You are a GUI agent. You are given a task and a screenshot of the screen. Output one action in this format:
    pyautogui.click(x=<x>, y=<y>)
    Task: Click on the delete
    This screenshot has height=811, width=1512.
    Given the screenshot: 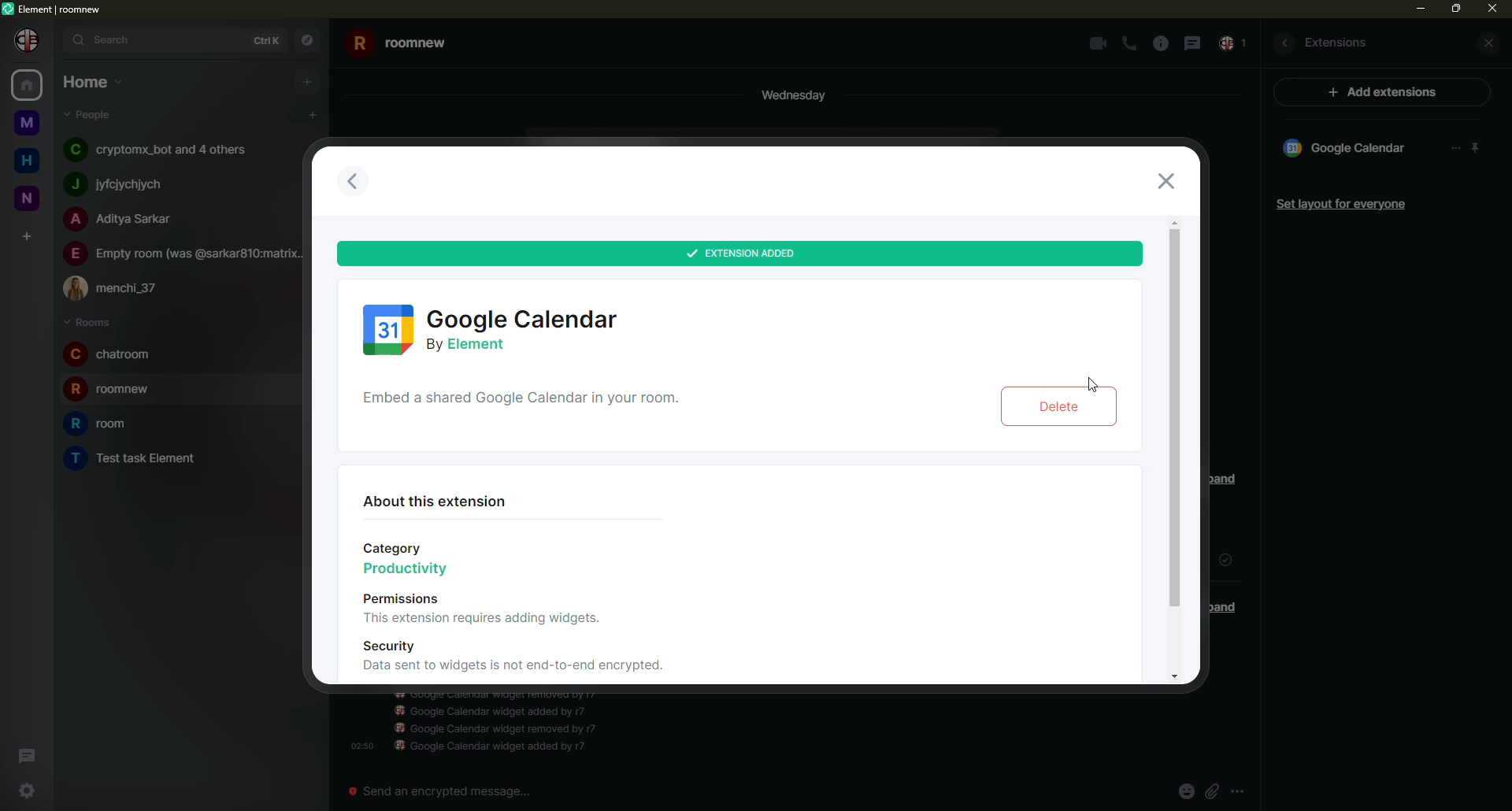 What is the action you would take?
    pyautogui.click(x=1057, y=406)
    